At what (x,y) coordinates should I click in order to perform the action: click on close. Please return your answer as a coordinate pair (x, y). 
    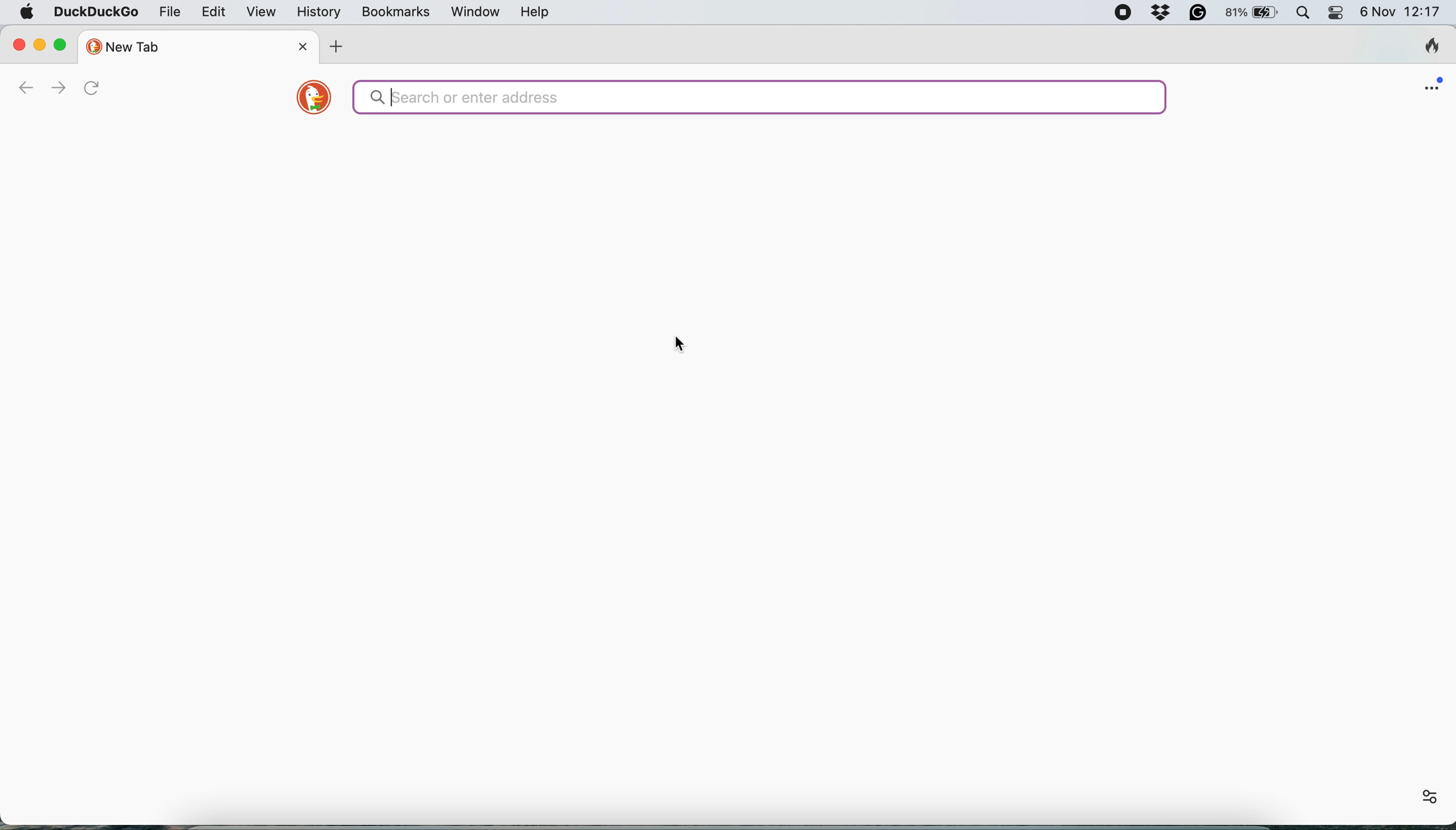
    Looking at the image, I should click on (15, 45).